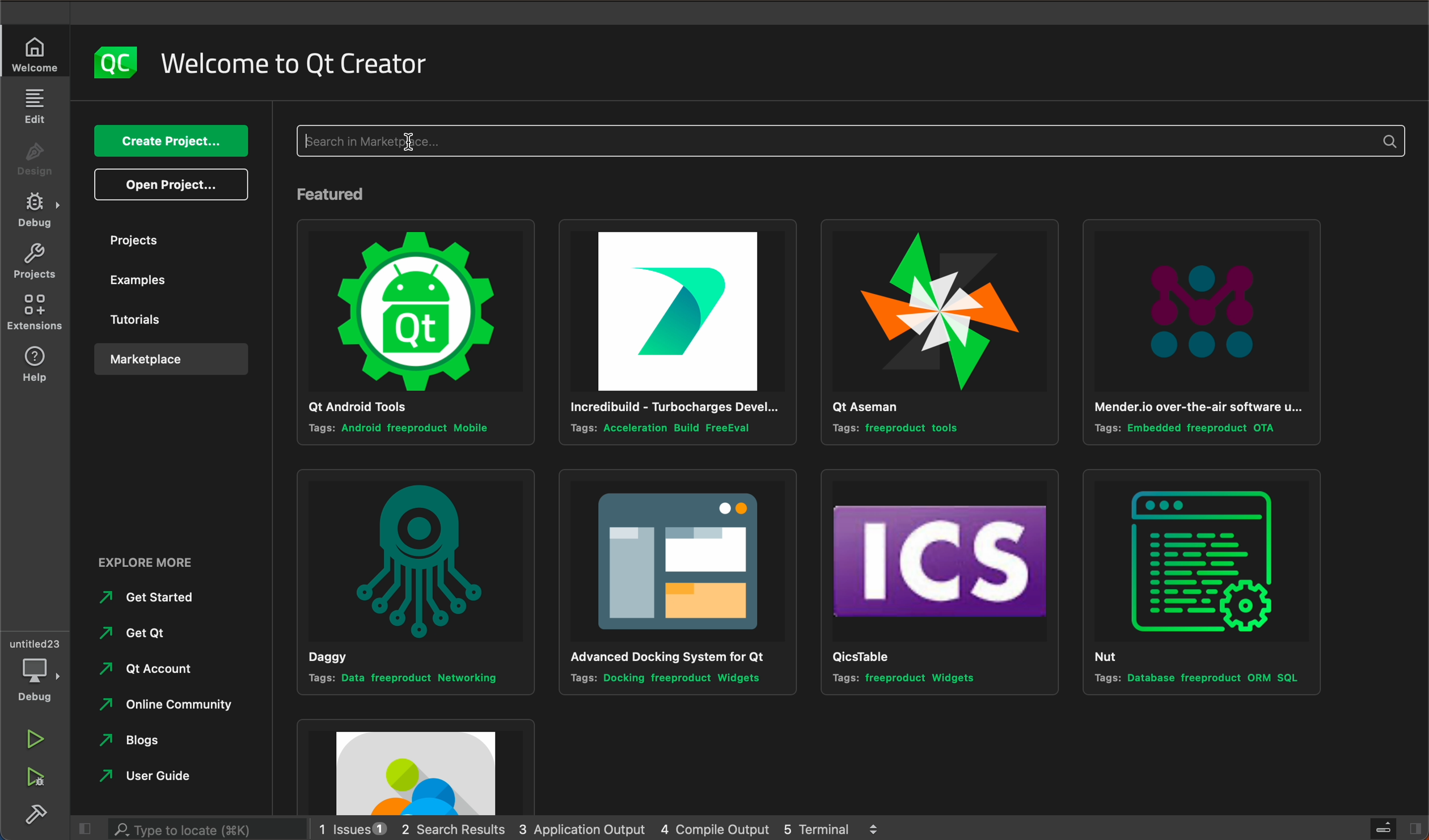  I want to click on , so click(407, 333).